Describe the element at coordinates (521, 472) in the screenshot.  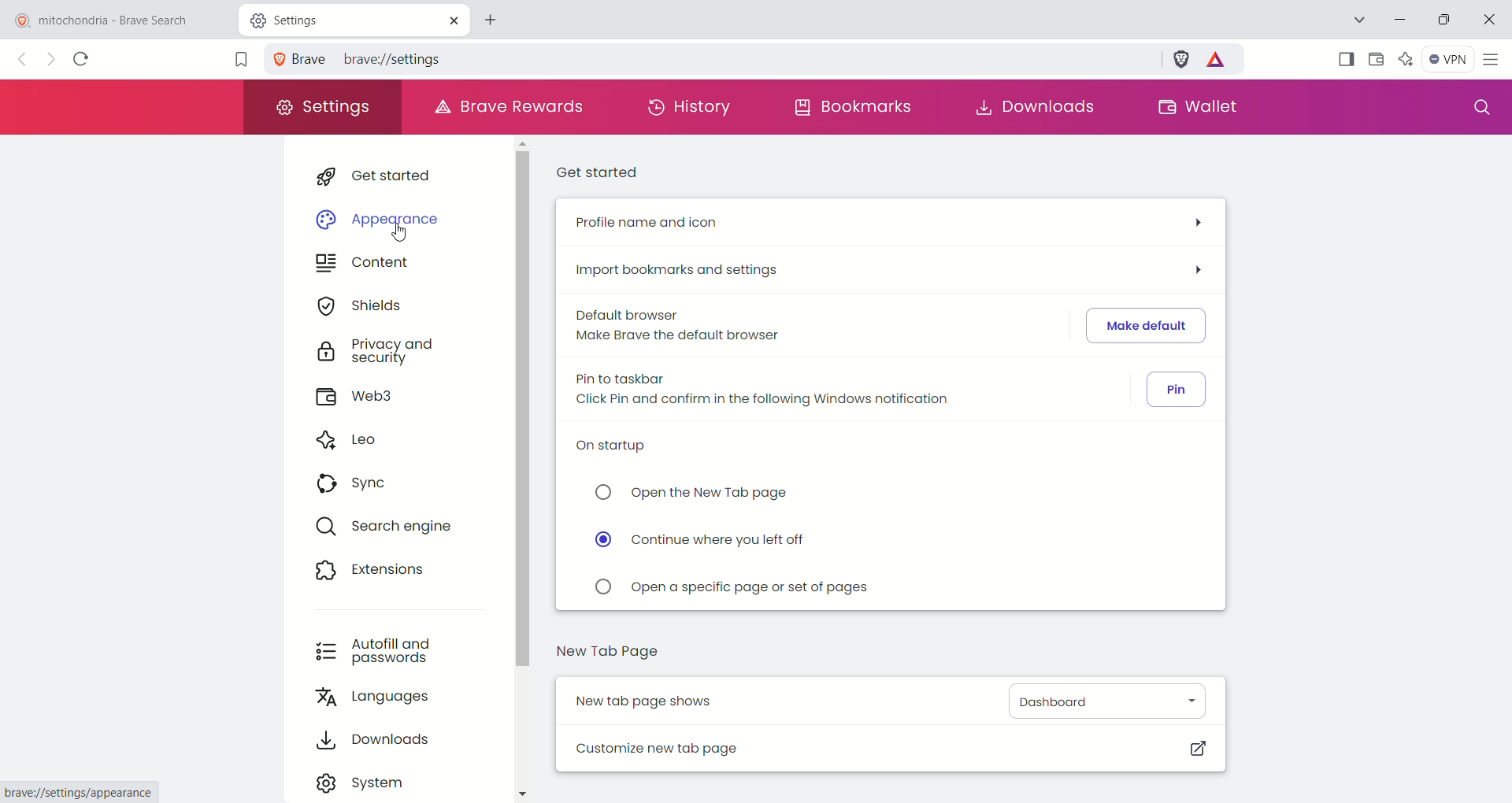
I see `vertical scroll bar` at that location.